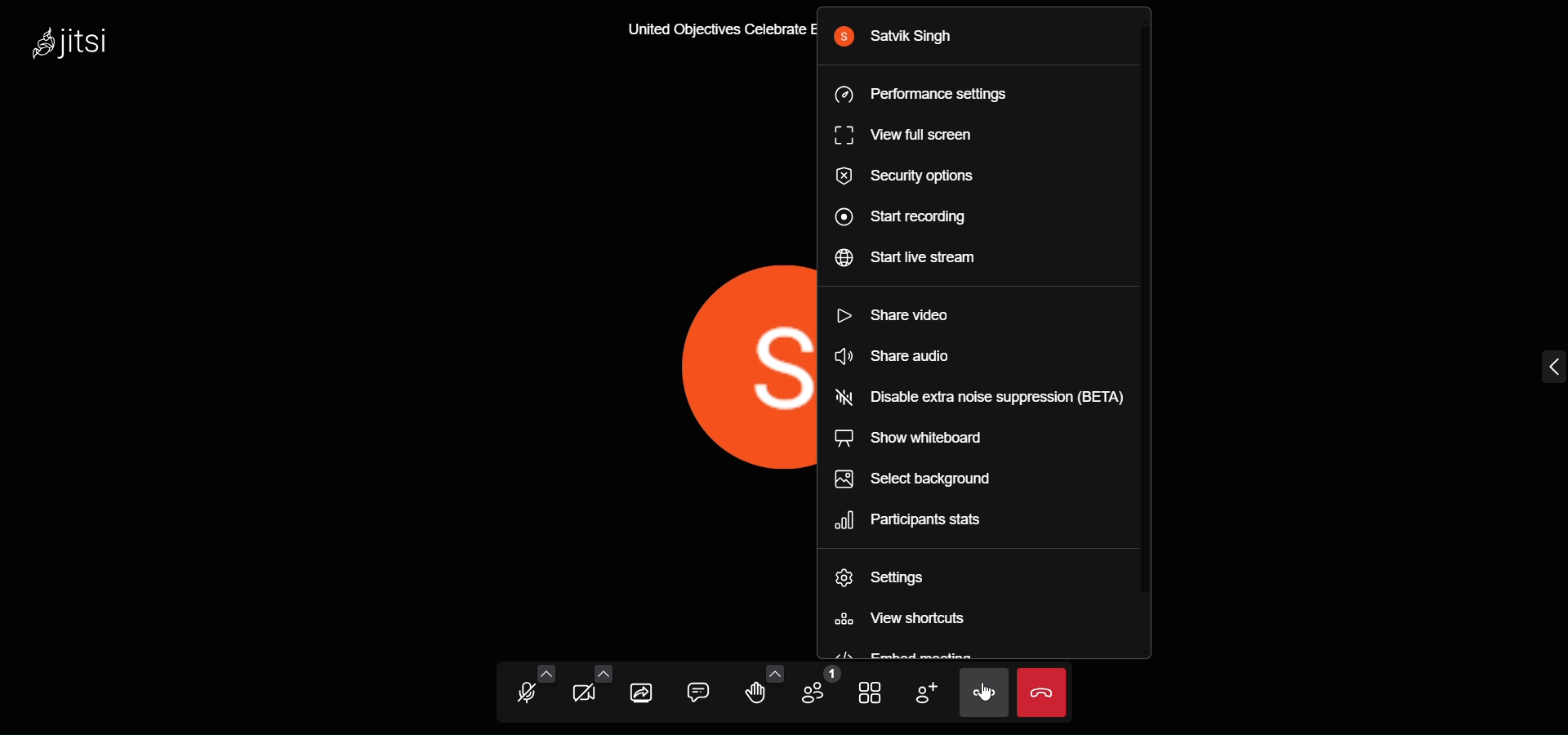  What do you see at coordinates (774, 672) in the screenshot?
I see `more emoji` at bounding box center [774, 672].